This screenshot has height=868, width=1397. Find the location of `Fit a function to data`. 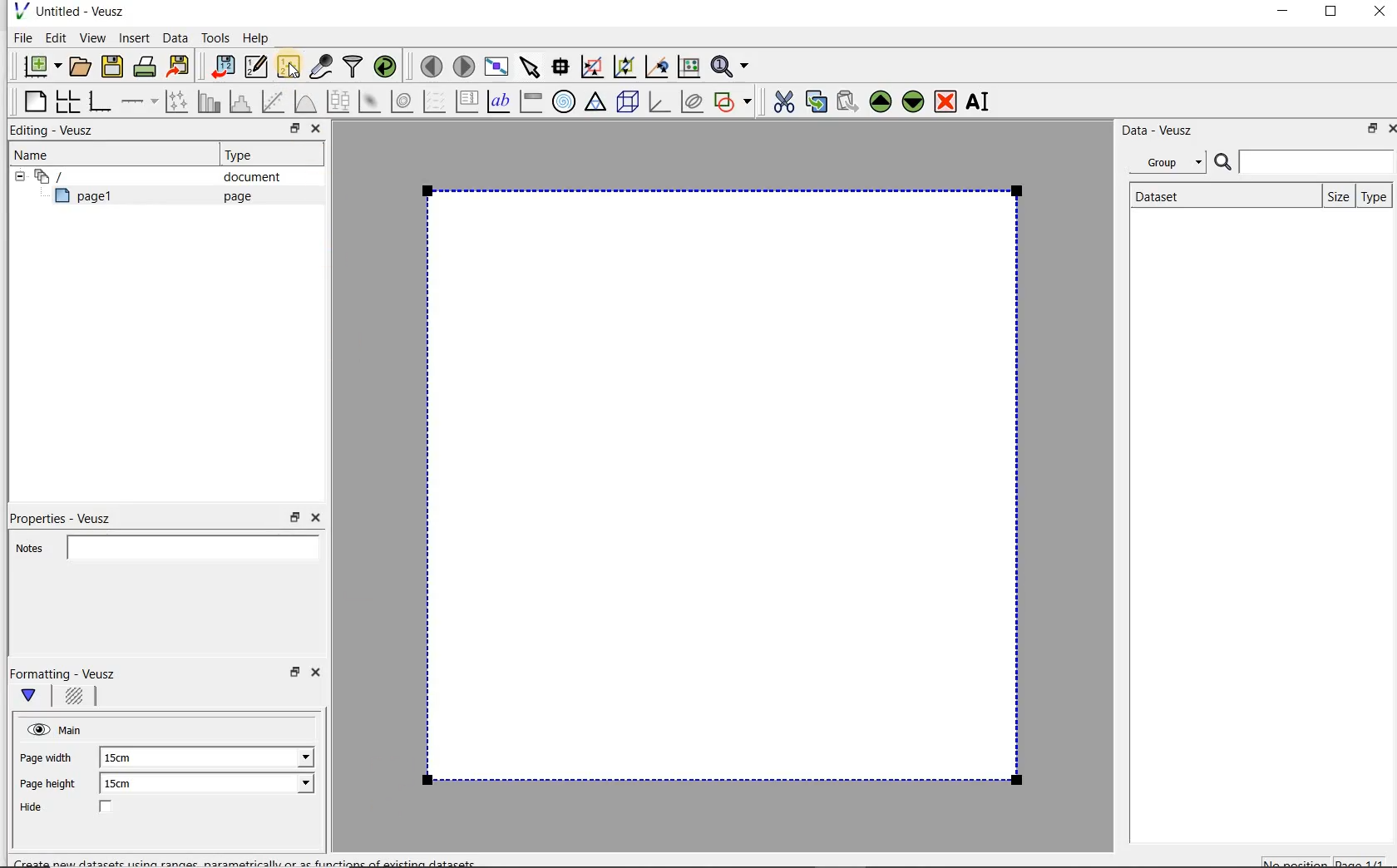

Fit a function to data is located at coordinates (275, 101).